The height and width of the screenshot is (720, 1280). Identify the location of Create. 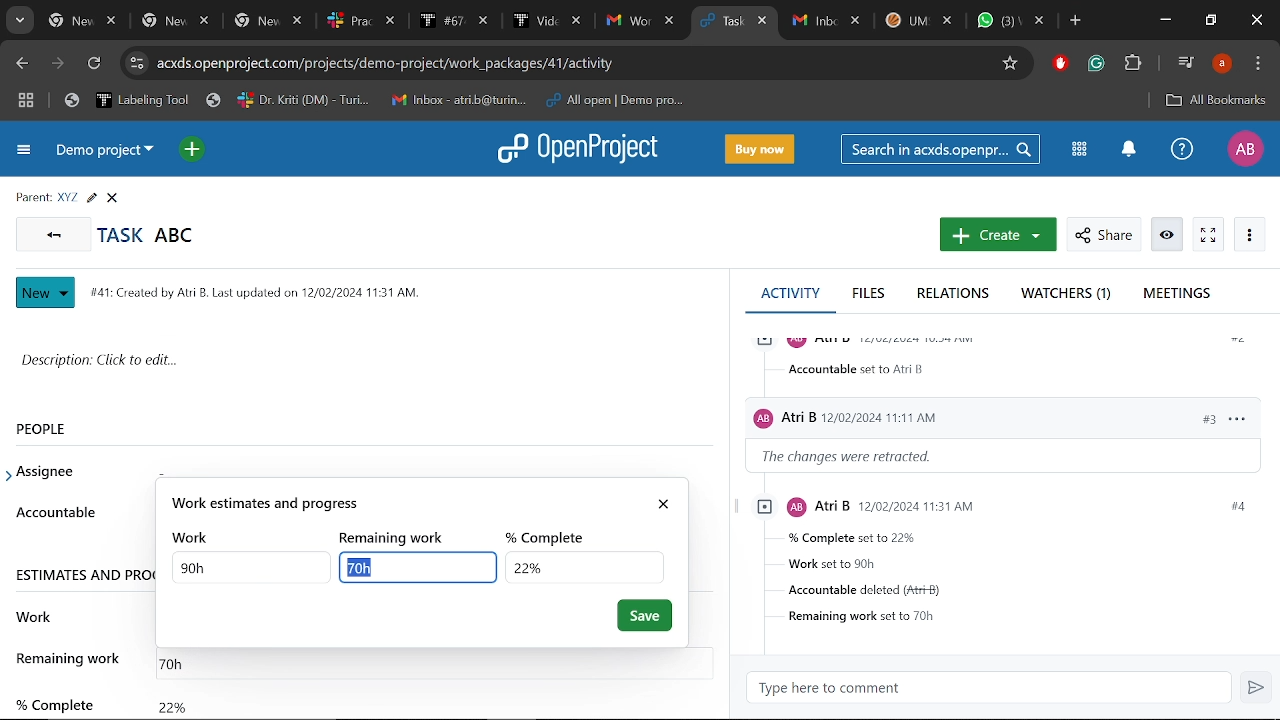
(995, 236).